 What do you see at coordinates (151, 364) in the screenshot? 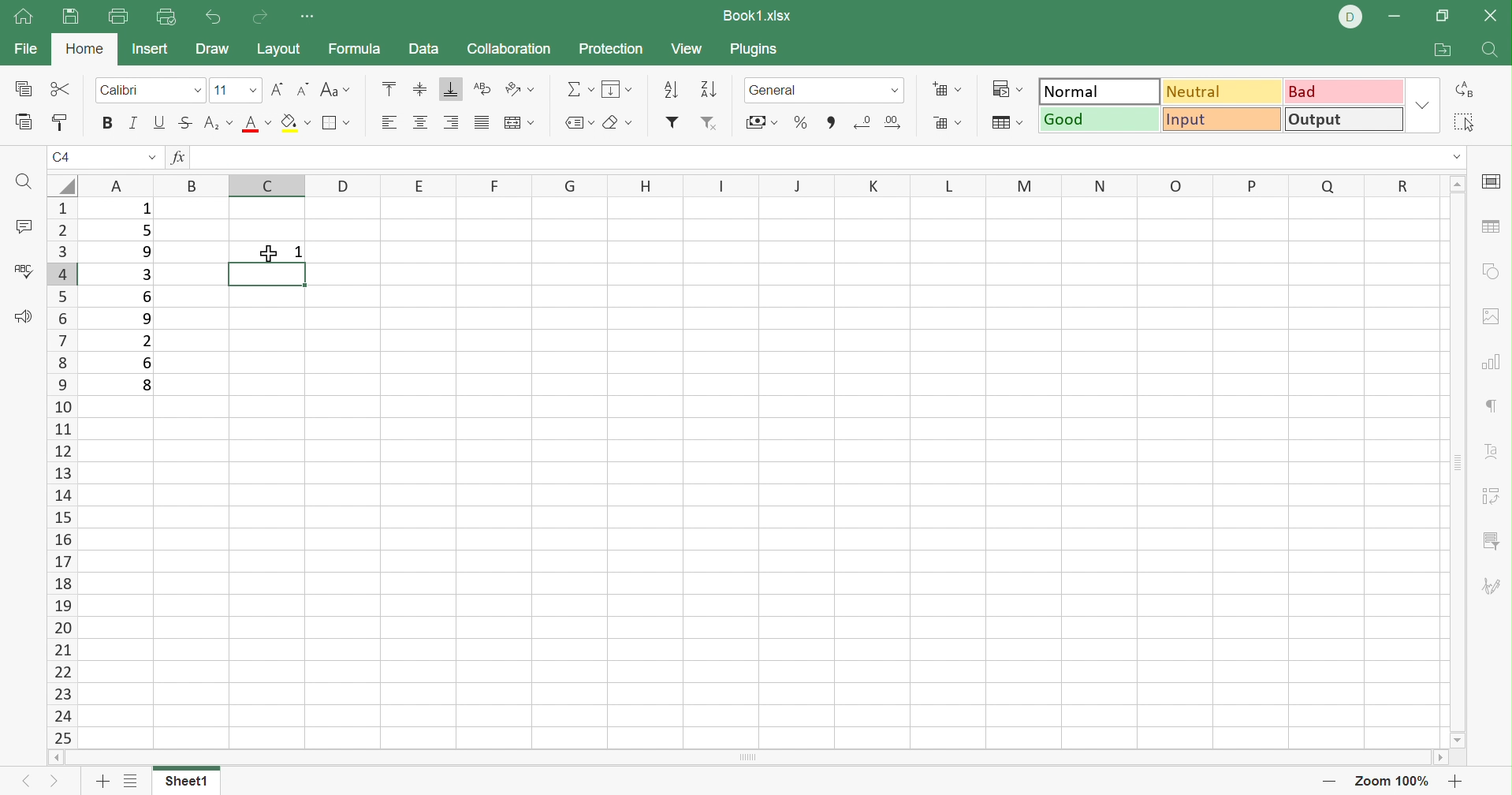
I see `6` at bounding box center [151, 364].